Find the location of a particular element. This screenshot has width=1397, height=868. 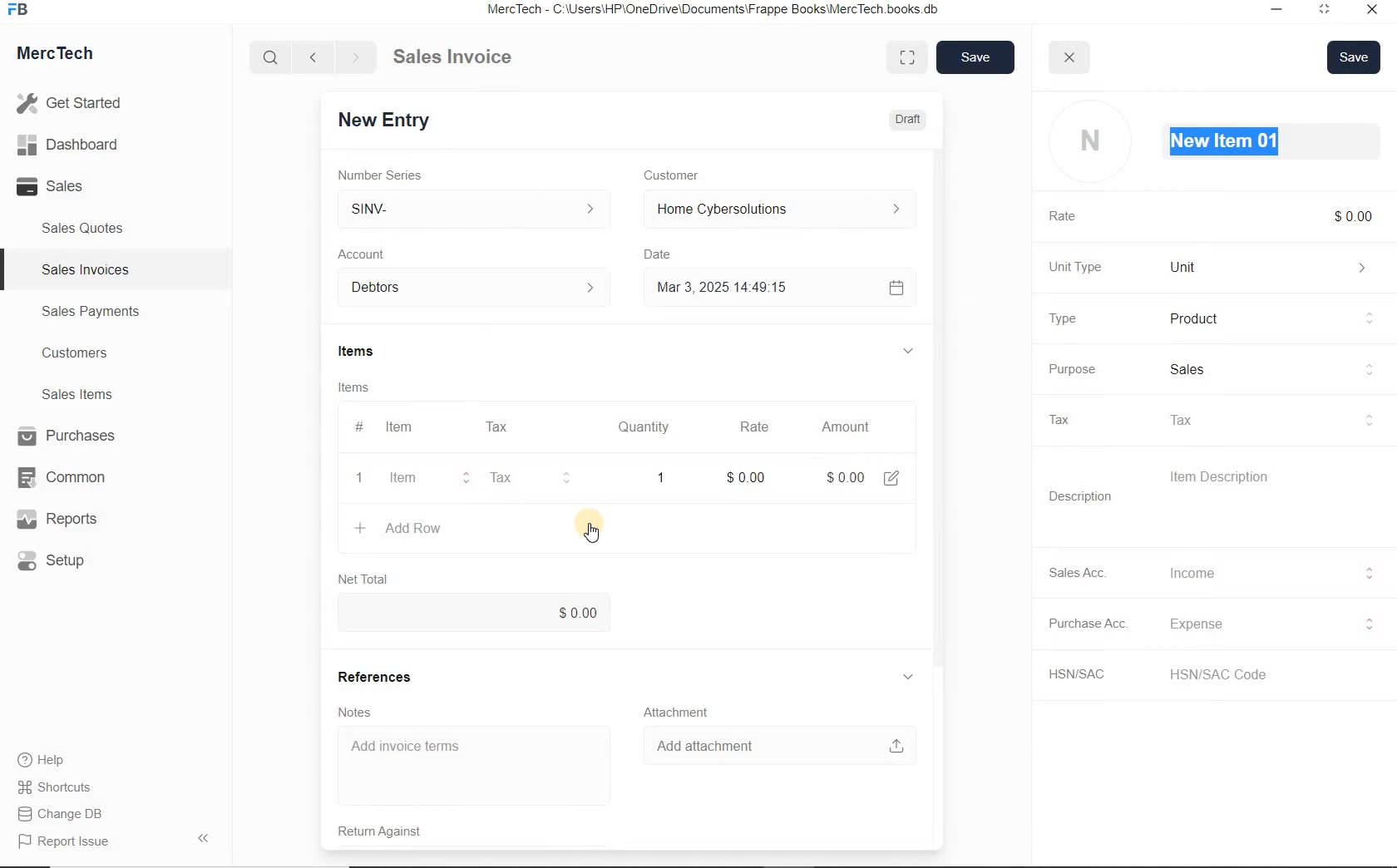

Items is located at coordinates (363, 387).